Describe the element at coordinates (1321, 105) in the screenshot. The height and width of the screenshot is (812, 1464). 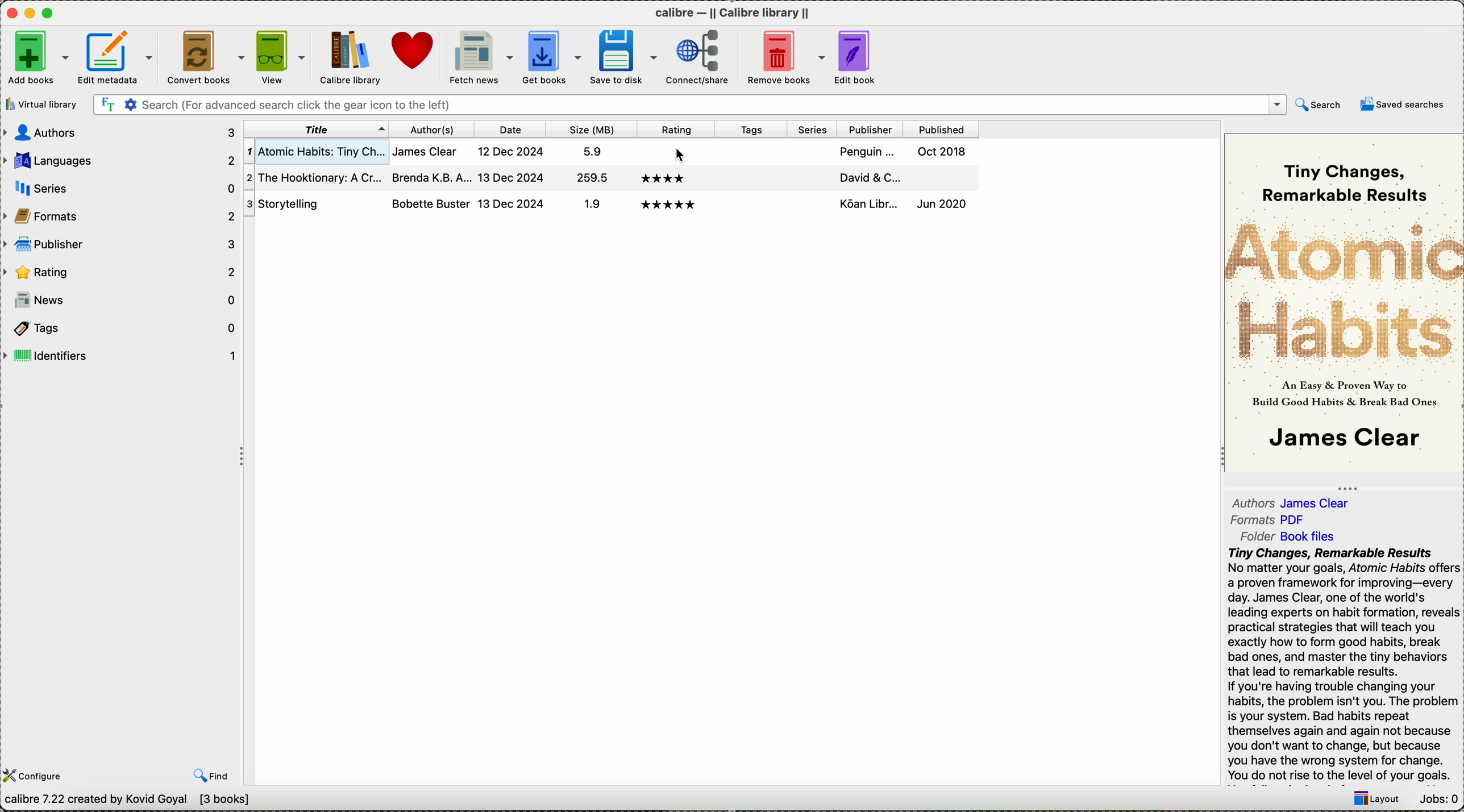
I see `search` at that location.